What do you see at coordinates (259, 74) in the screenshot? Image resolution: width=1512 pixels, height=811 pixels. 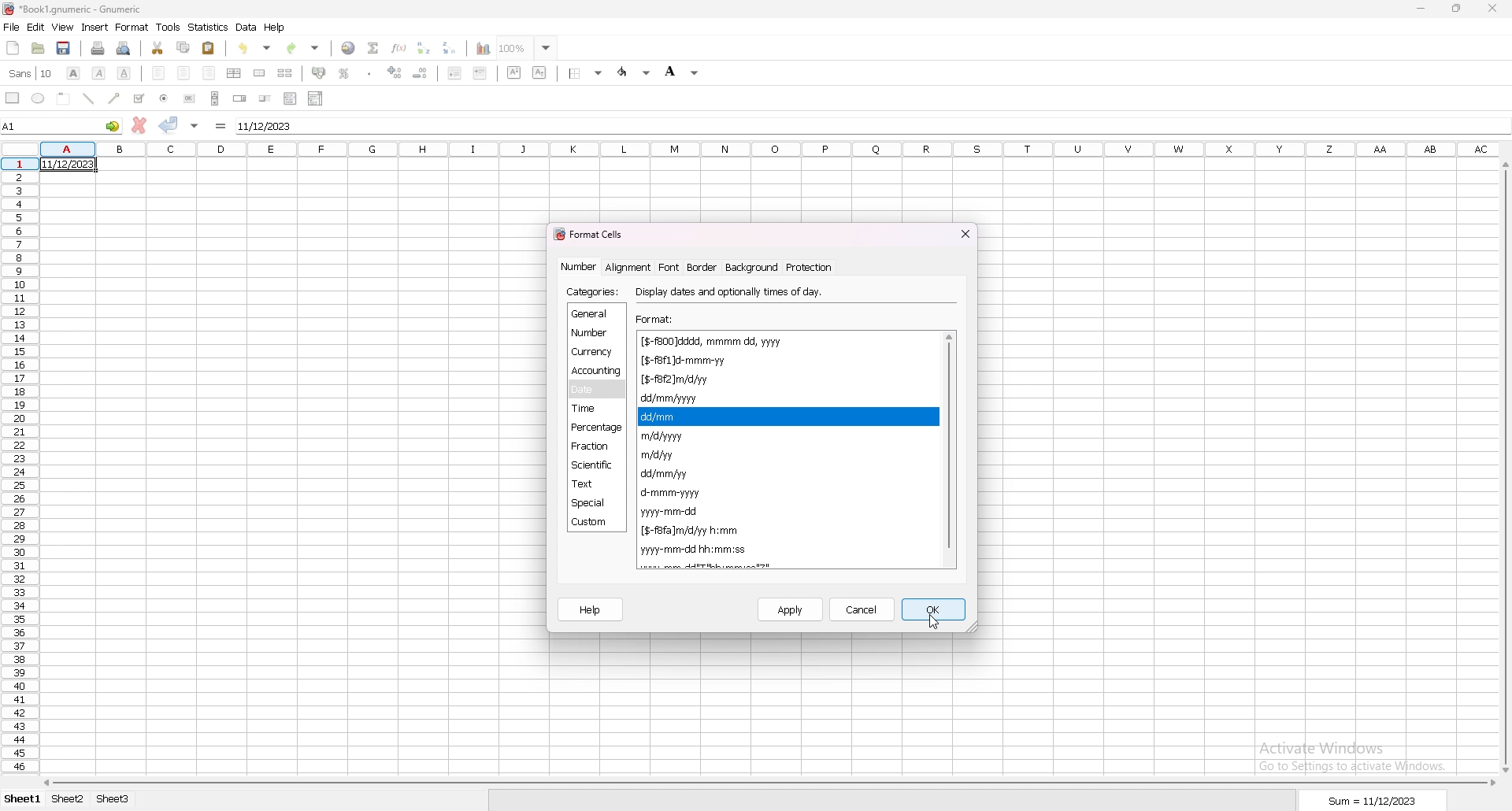 I see `merge cells` at bounding box center [259, 74].